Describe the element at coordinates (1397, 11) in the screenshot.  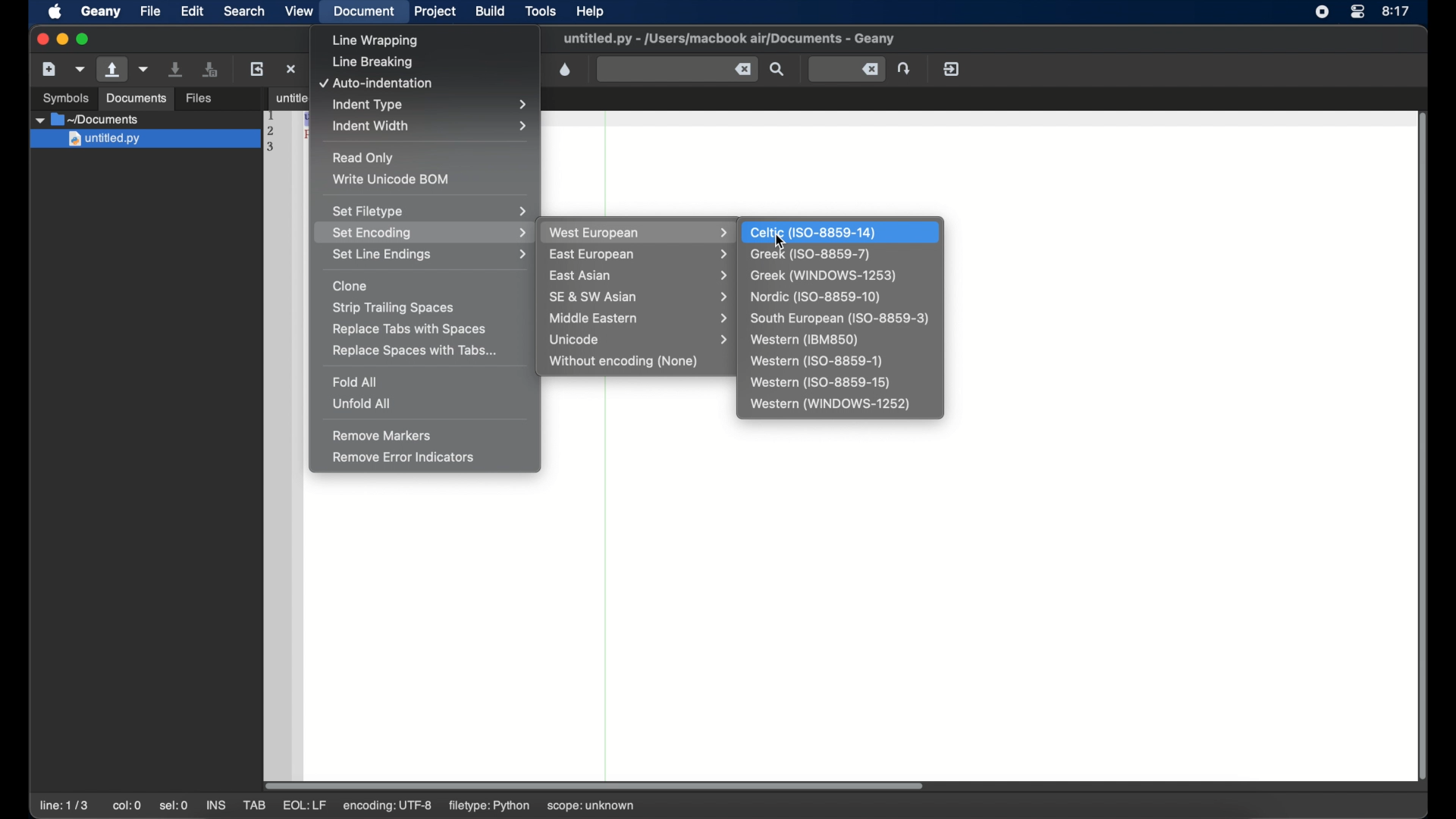
I see `time` at that location.